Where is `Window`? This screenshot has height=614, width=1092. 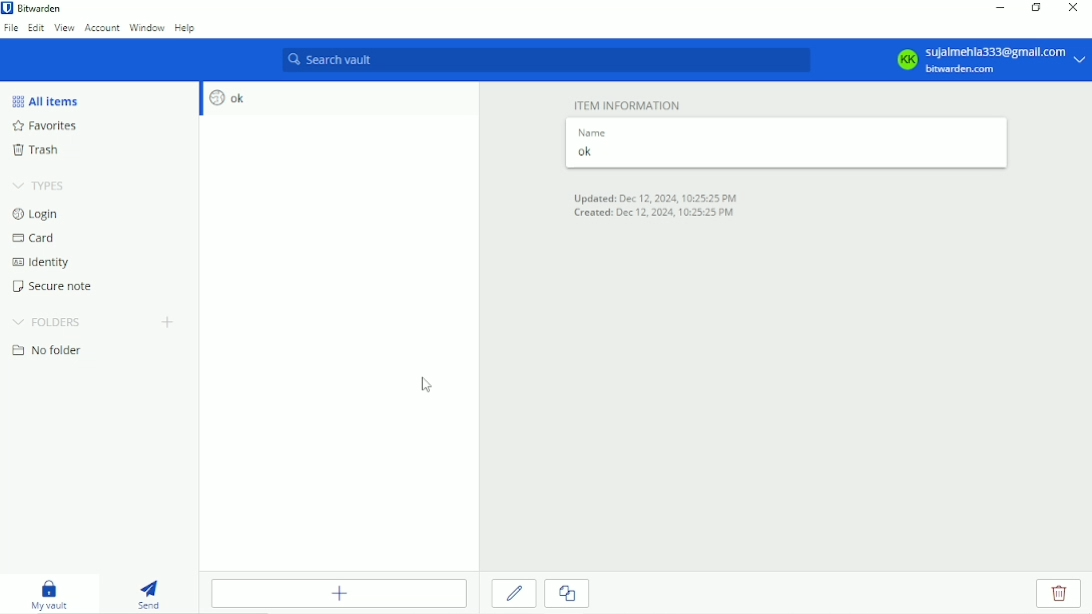 Window is located at coordinates (147, 27).